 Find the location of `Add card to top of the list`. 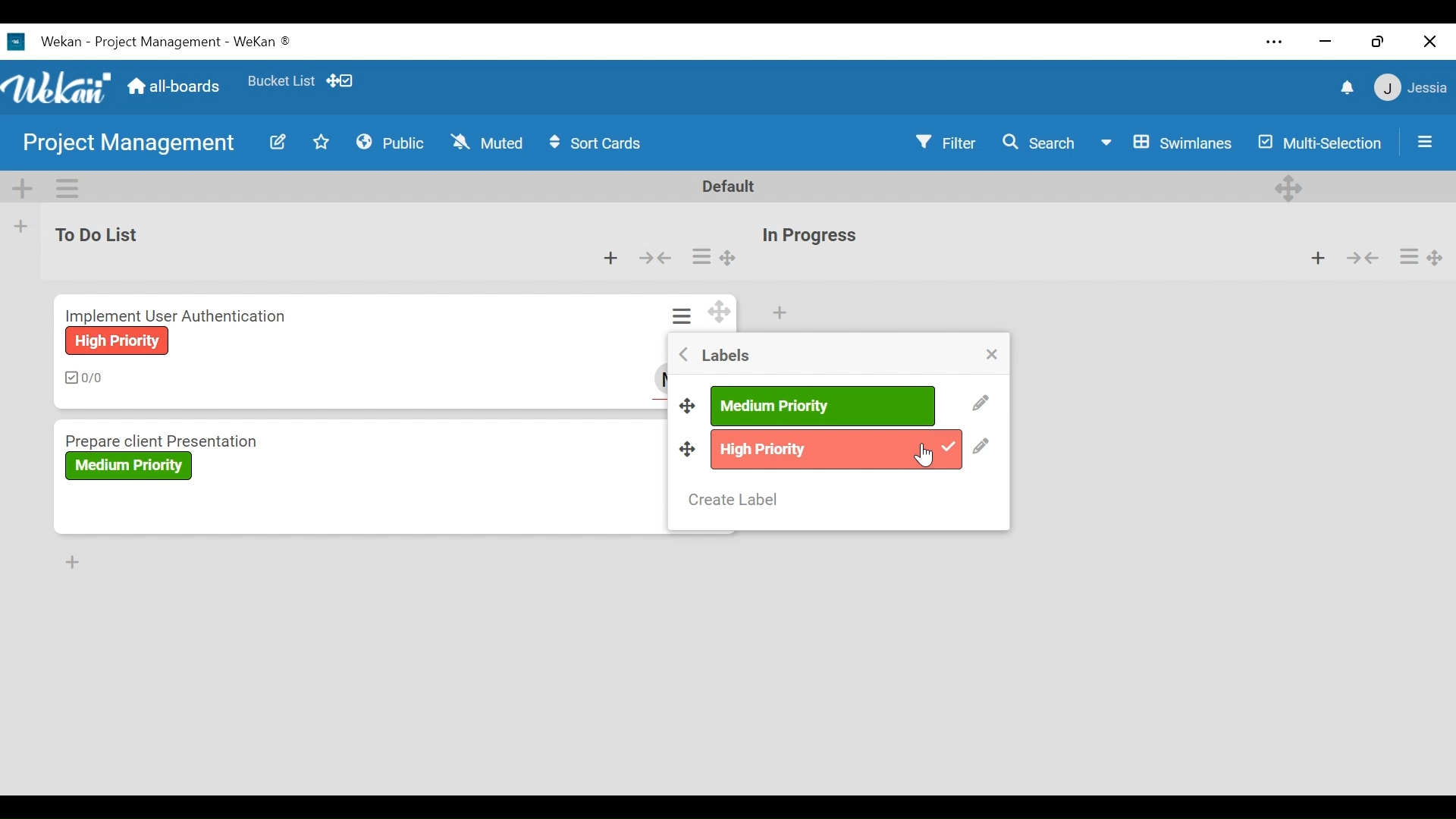

Add card to top of the list is located at coordinates (611, 259).